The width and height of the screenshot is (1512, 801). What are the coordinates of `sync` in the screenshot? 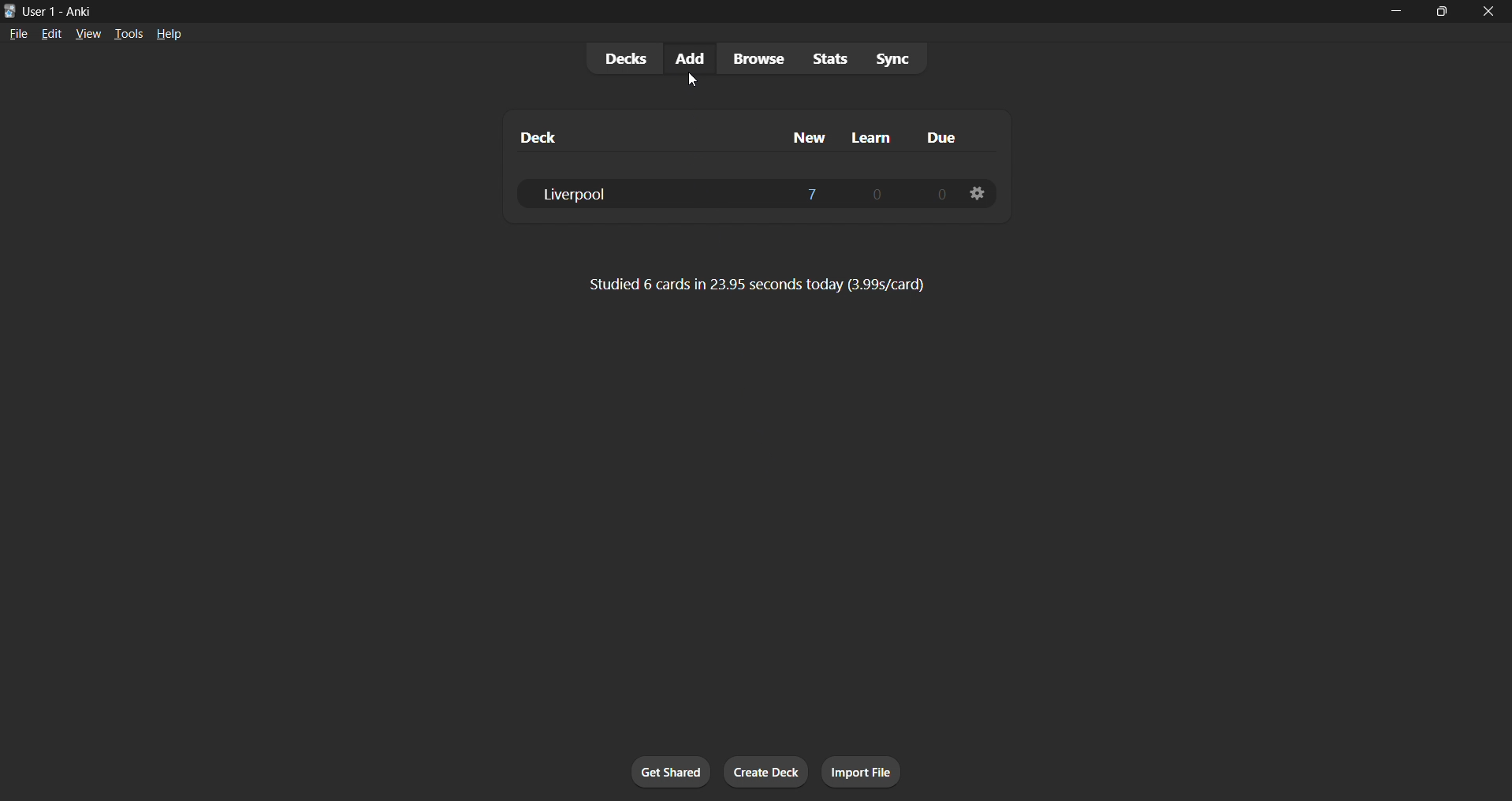 It's located at (893, 61).